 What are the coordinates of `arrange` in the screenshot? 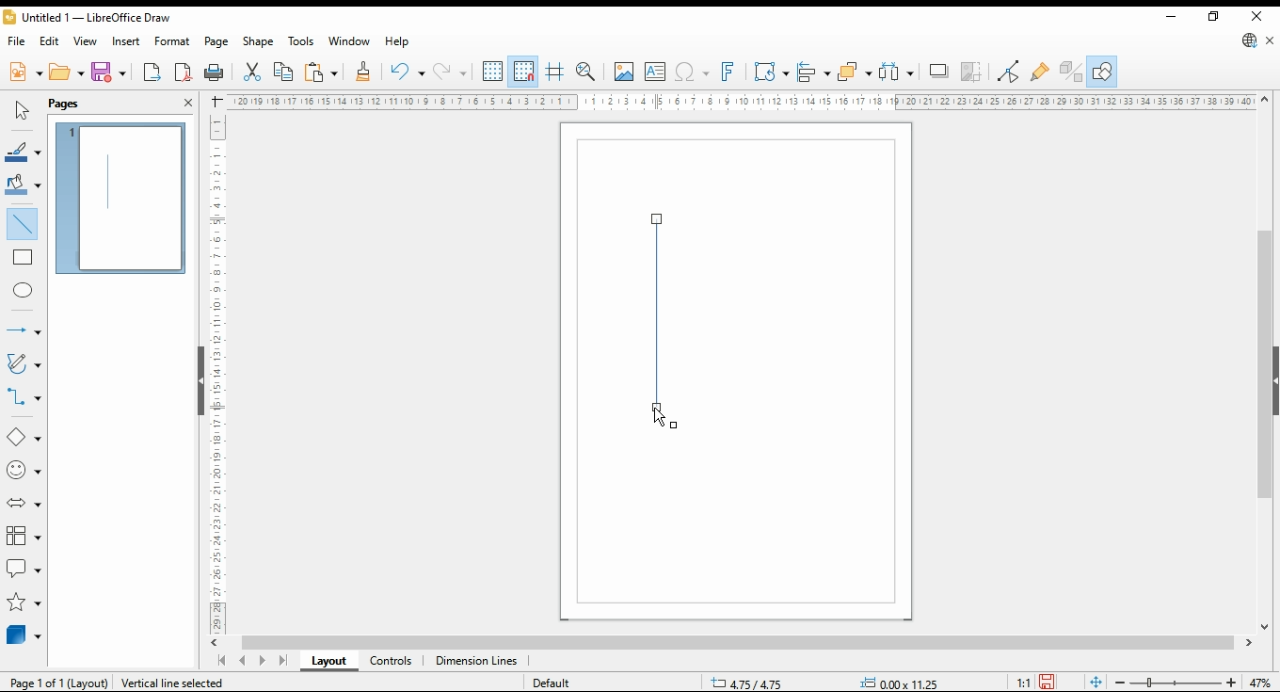 It's located at (854, 71).